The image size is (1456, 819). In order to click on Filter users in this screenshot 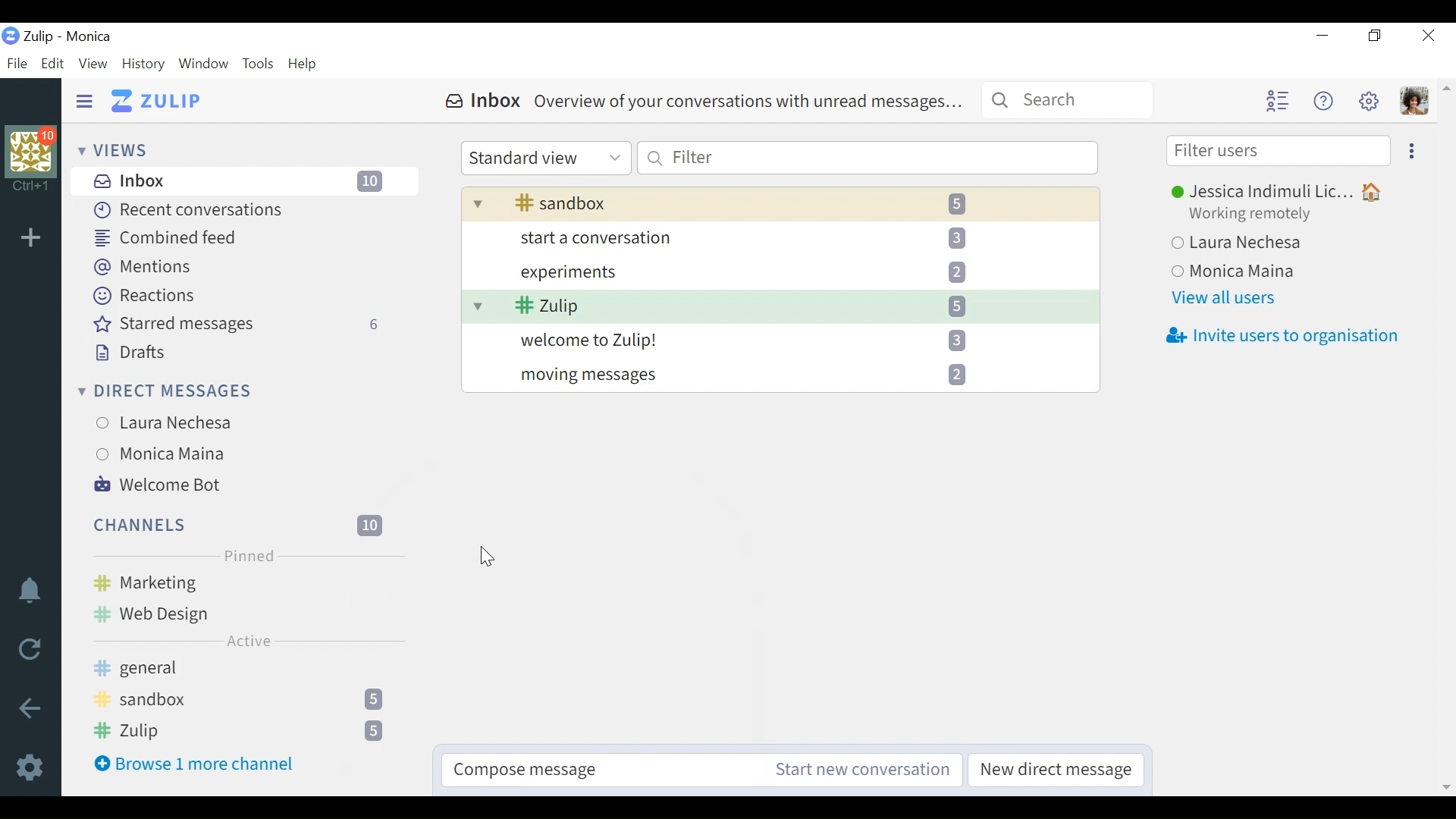, I will do `click(1279, 151)`.